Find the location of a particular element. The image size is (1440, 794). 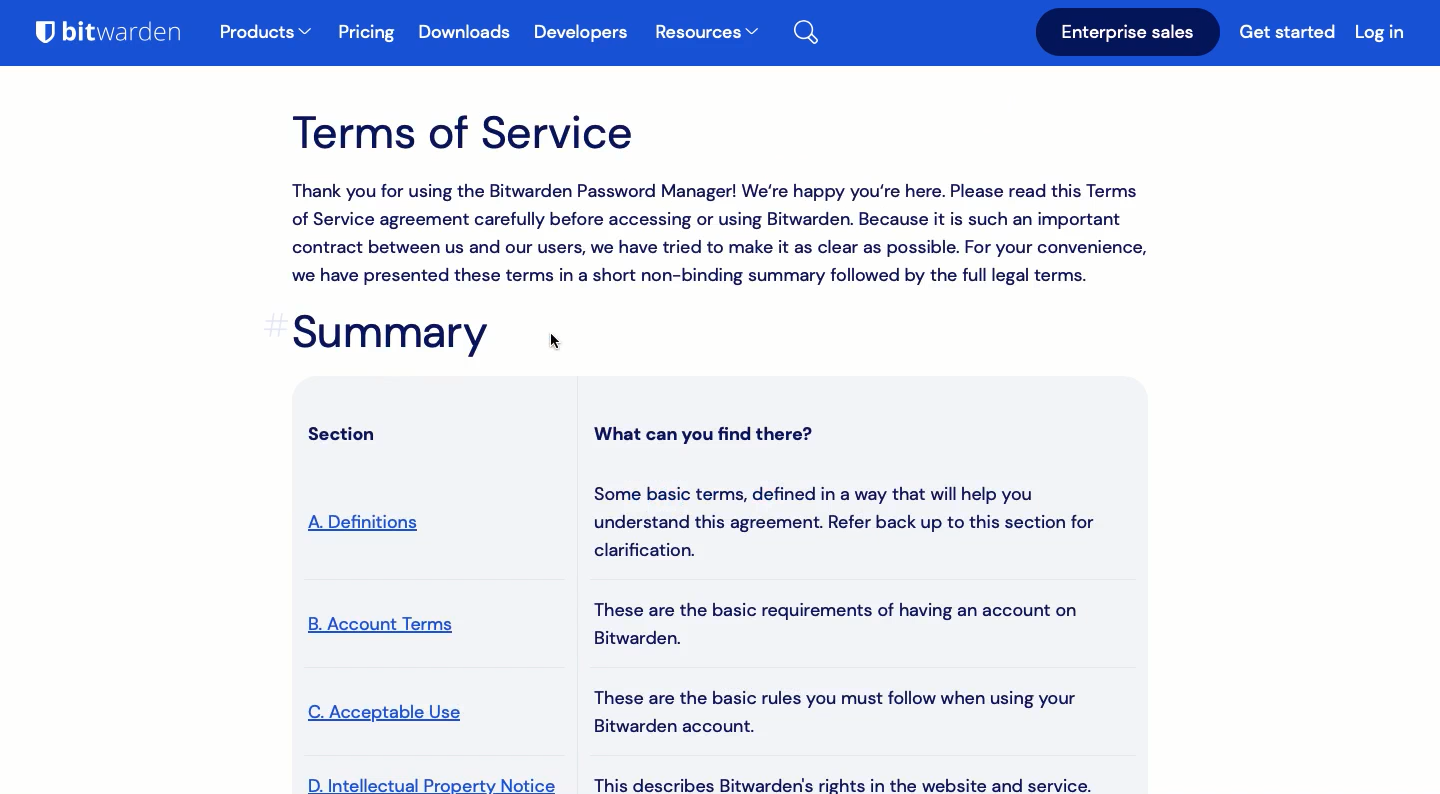

Search is located at coordinates (817, 29).